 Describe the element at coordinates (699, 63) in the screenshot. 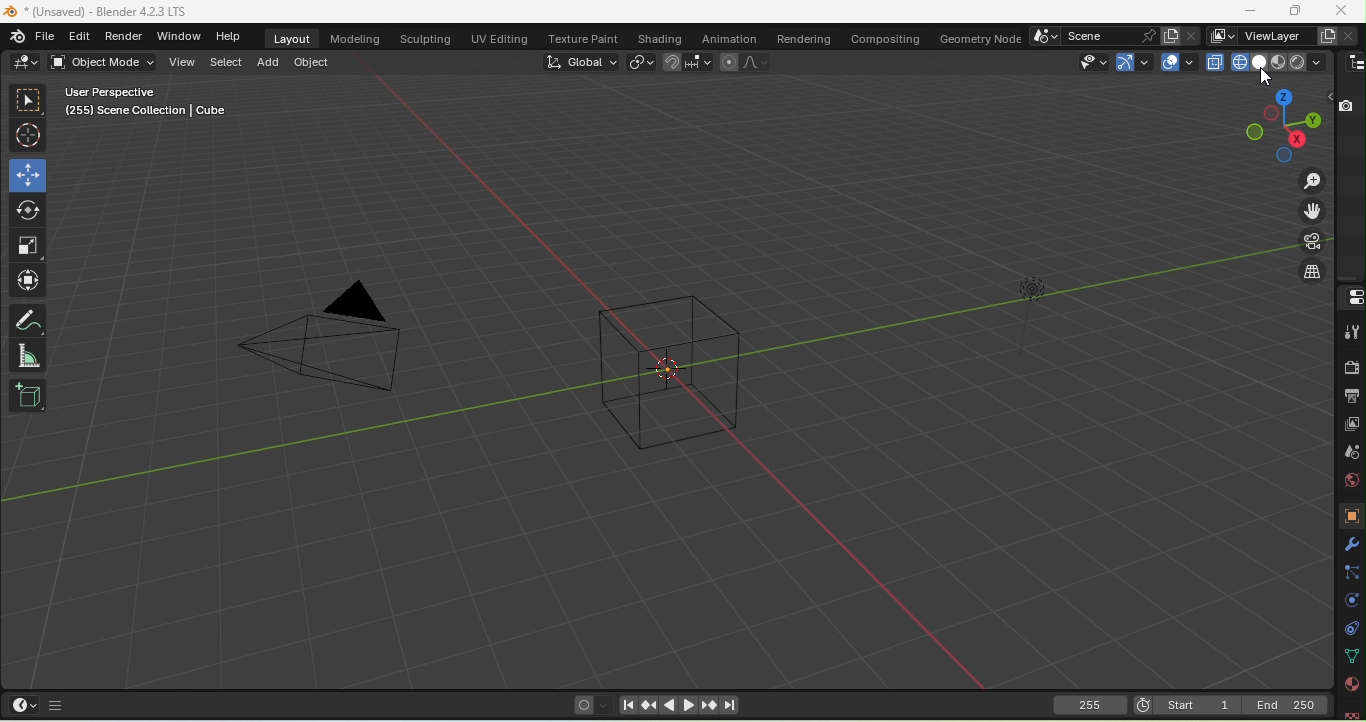

I see `Snapping` at that location.